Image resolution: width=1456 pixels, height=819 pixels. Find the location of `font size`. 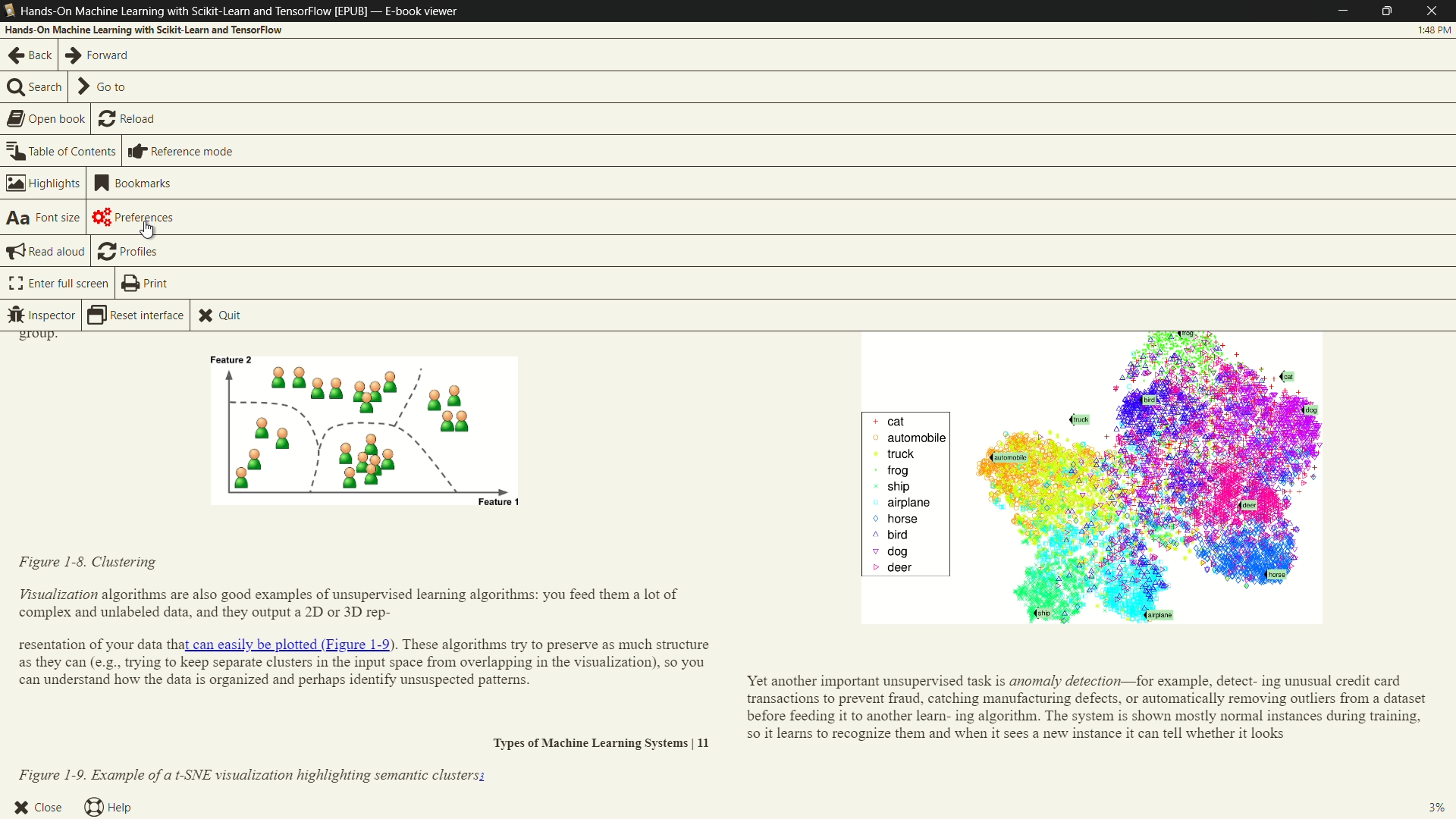

font size is located at coordinates (43, 217).